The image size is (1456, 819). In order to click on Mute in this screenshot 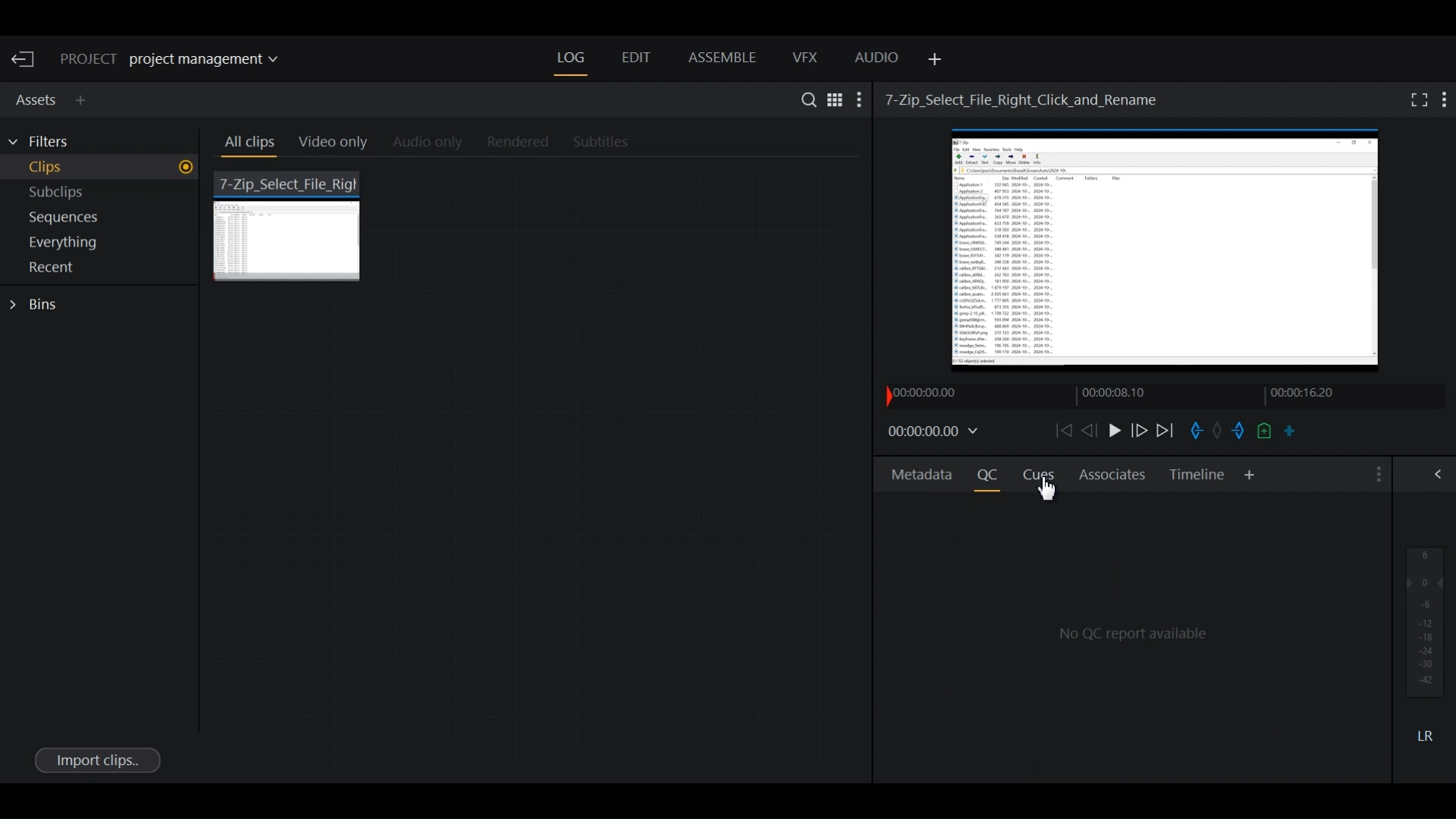, I will do `click(1425, 735)`.